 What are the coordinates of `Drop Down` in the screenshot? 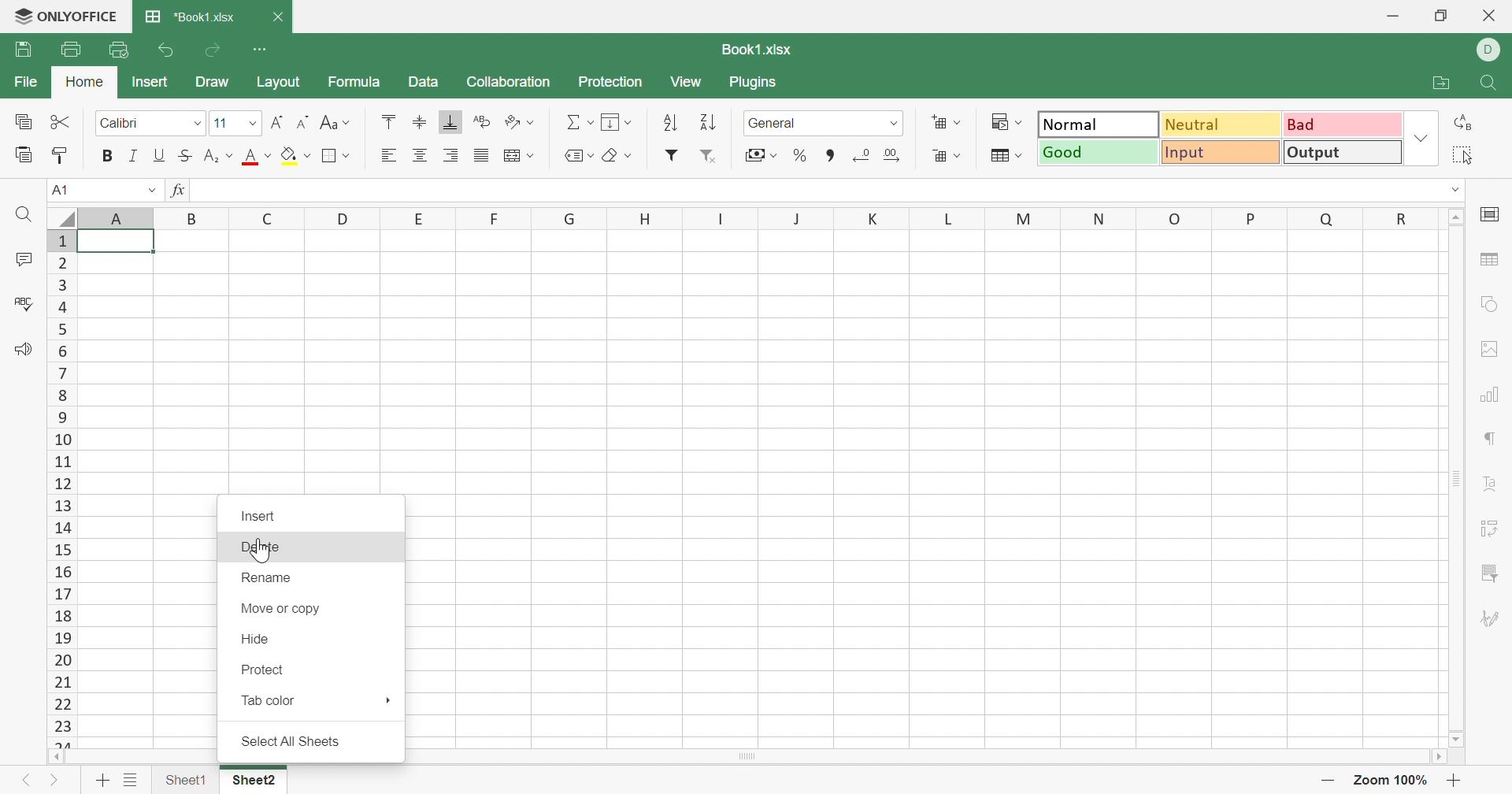 It's located at (963, 155).